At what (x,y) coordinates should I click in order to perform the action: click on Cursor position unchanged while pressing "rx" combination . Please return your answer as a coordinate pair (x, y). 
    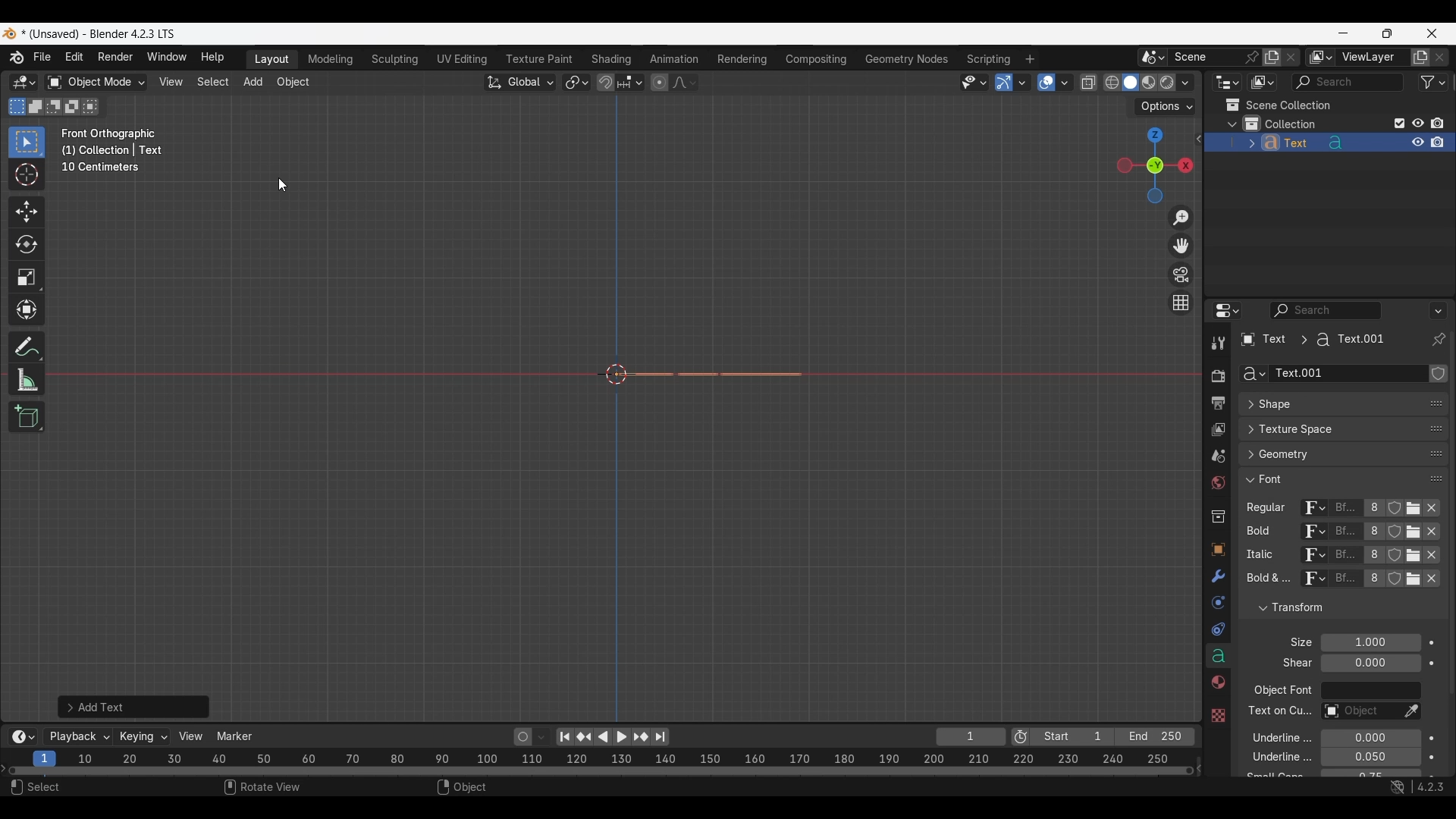
    Looking at the image, I should click on (282, 185).